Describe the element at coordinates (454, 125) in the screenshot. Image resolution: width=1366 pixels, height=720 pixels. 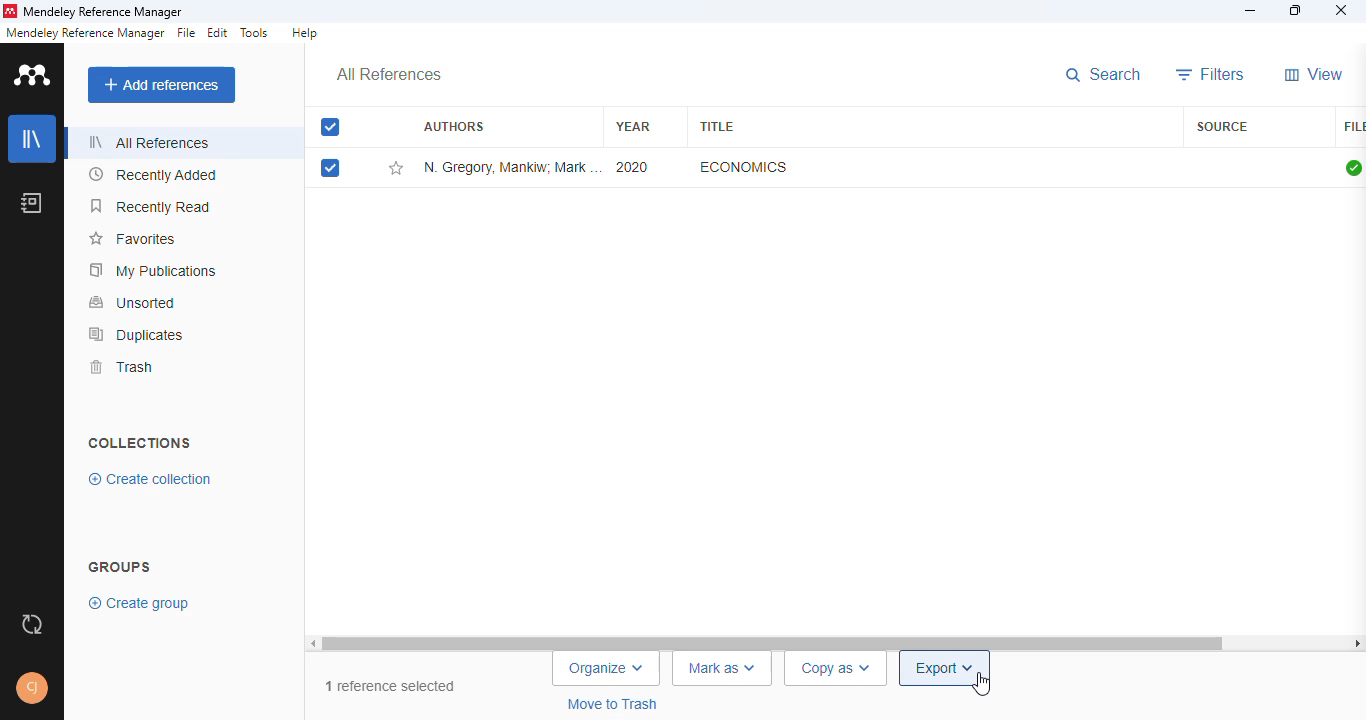
I see `authors` at that location.